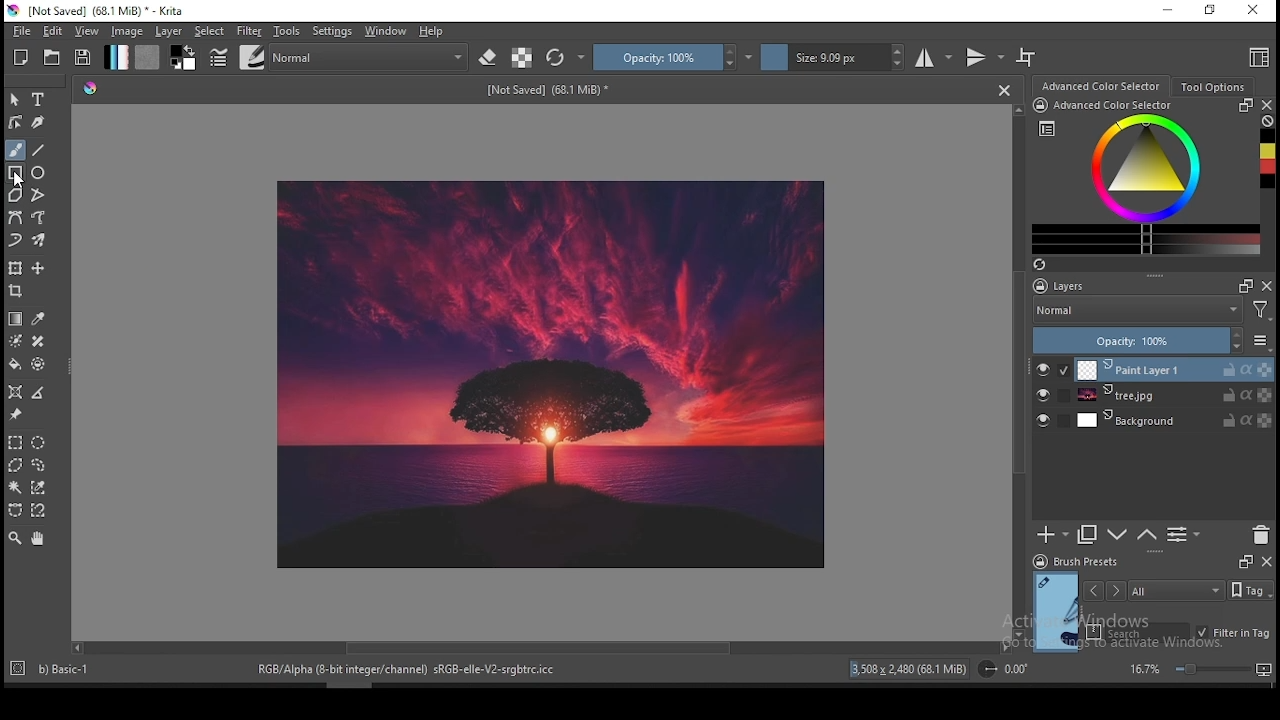 The width and height of the screenshot is (1280, 720). I want to click on paint bucket tool, so click(17, 365).